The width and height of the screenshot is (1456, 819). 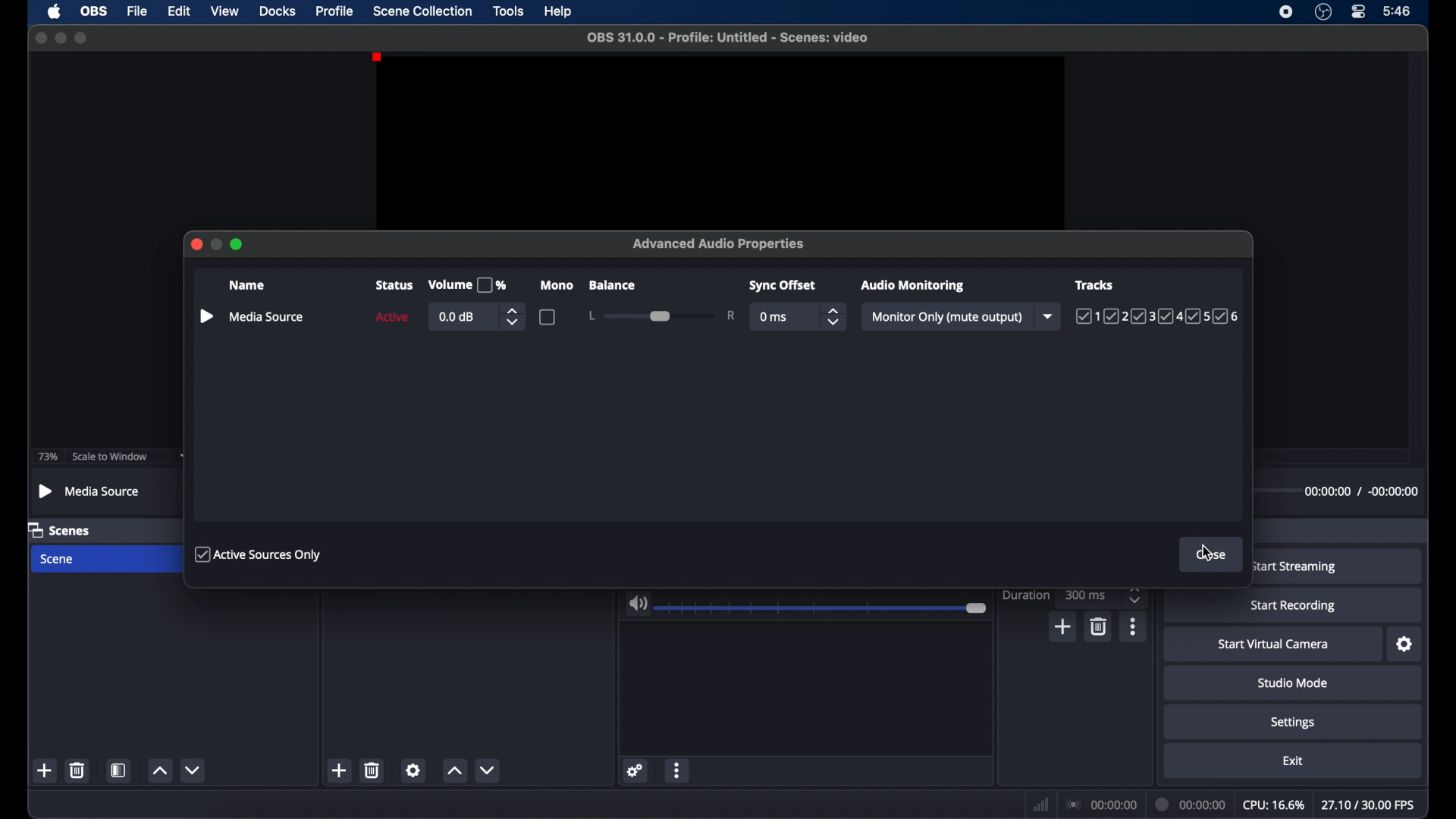 I want to click on delete, so click(x=76, y=770).